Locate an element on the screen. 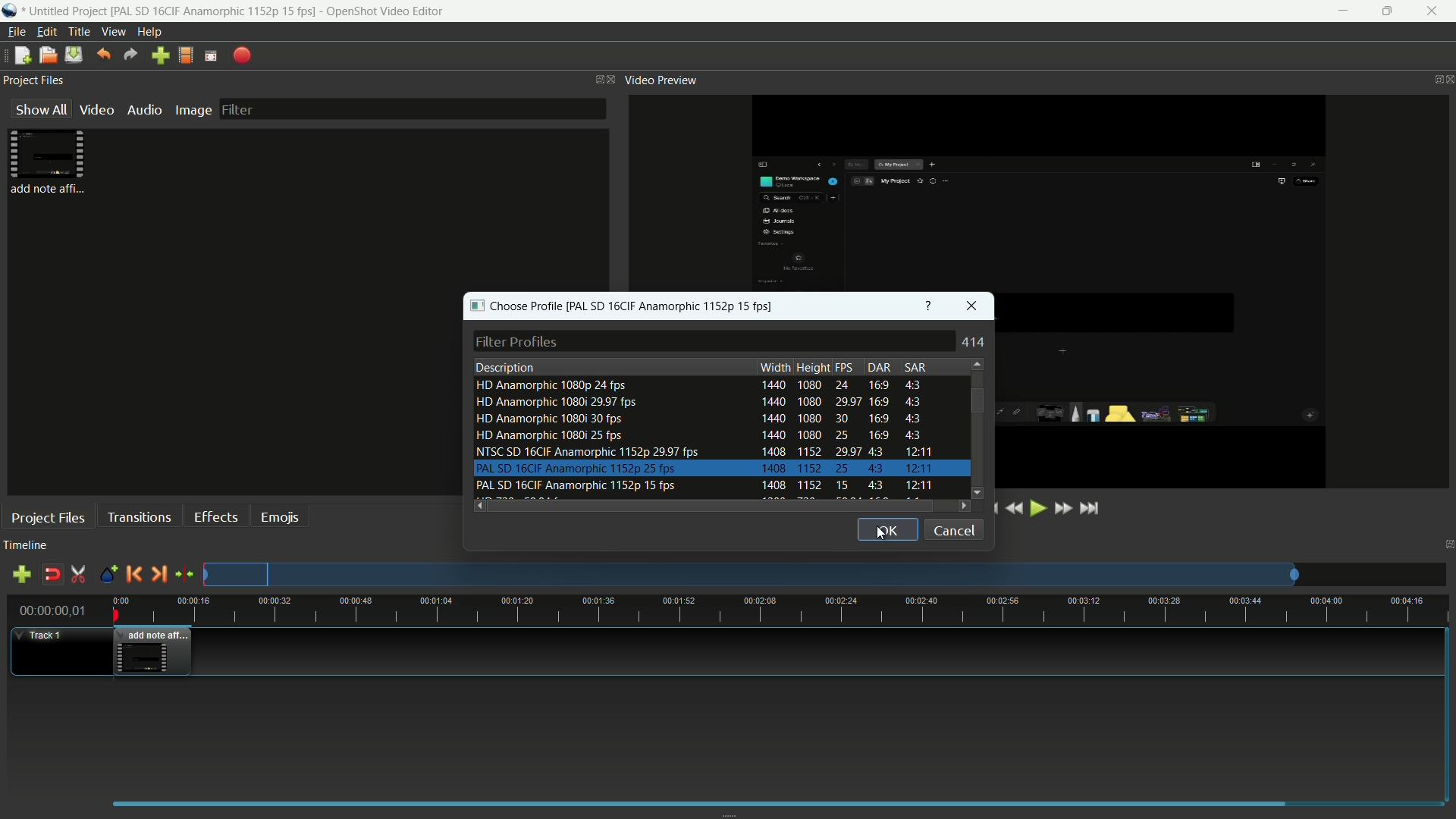  app icon is located at coordinates (12, 11).